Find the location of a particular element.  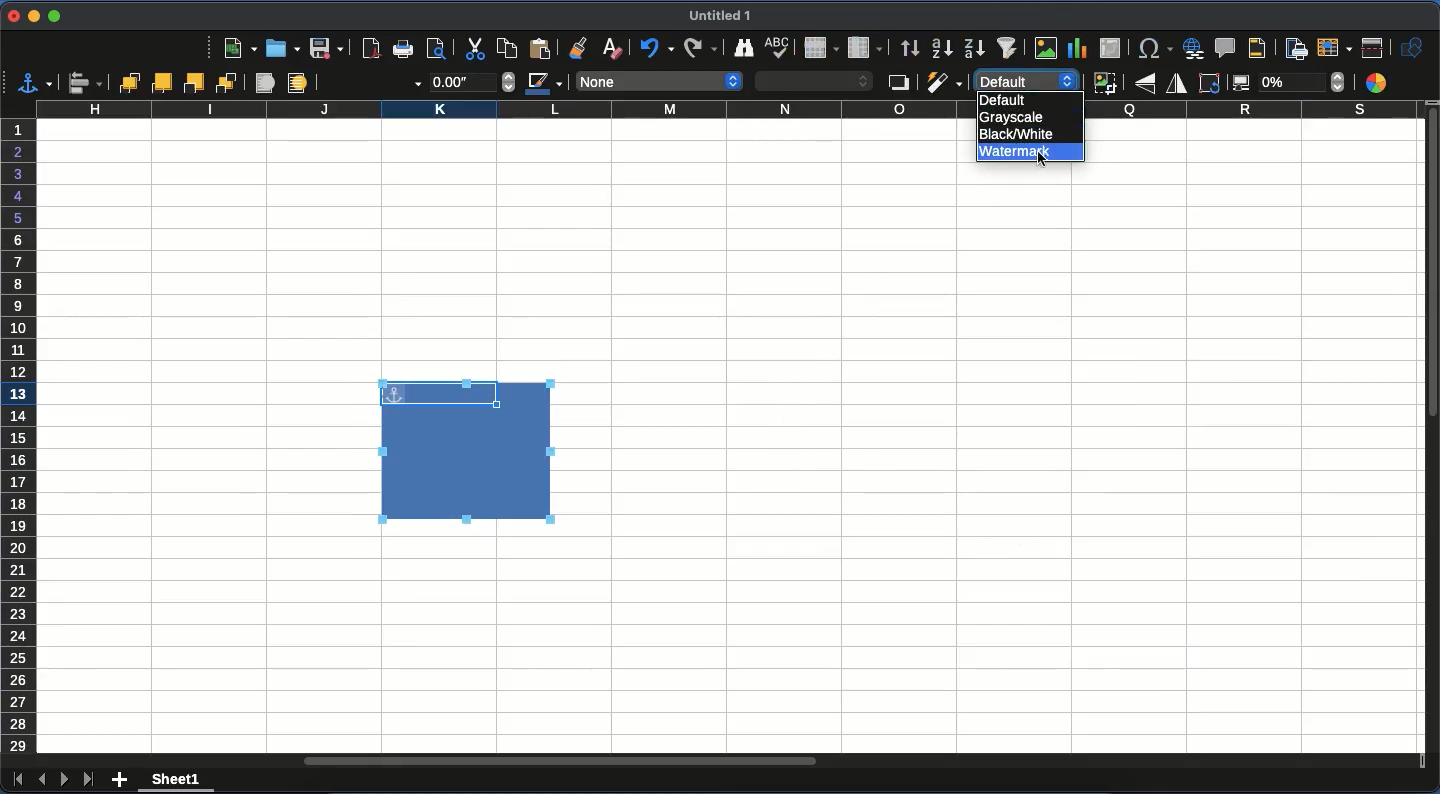

print preview  is located at coordinates (440, 49).